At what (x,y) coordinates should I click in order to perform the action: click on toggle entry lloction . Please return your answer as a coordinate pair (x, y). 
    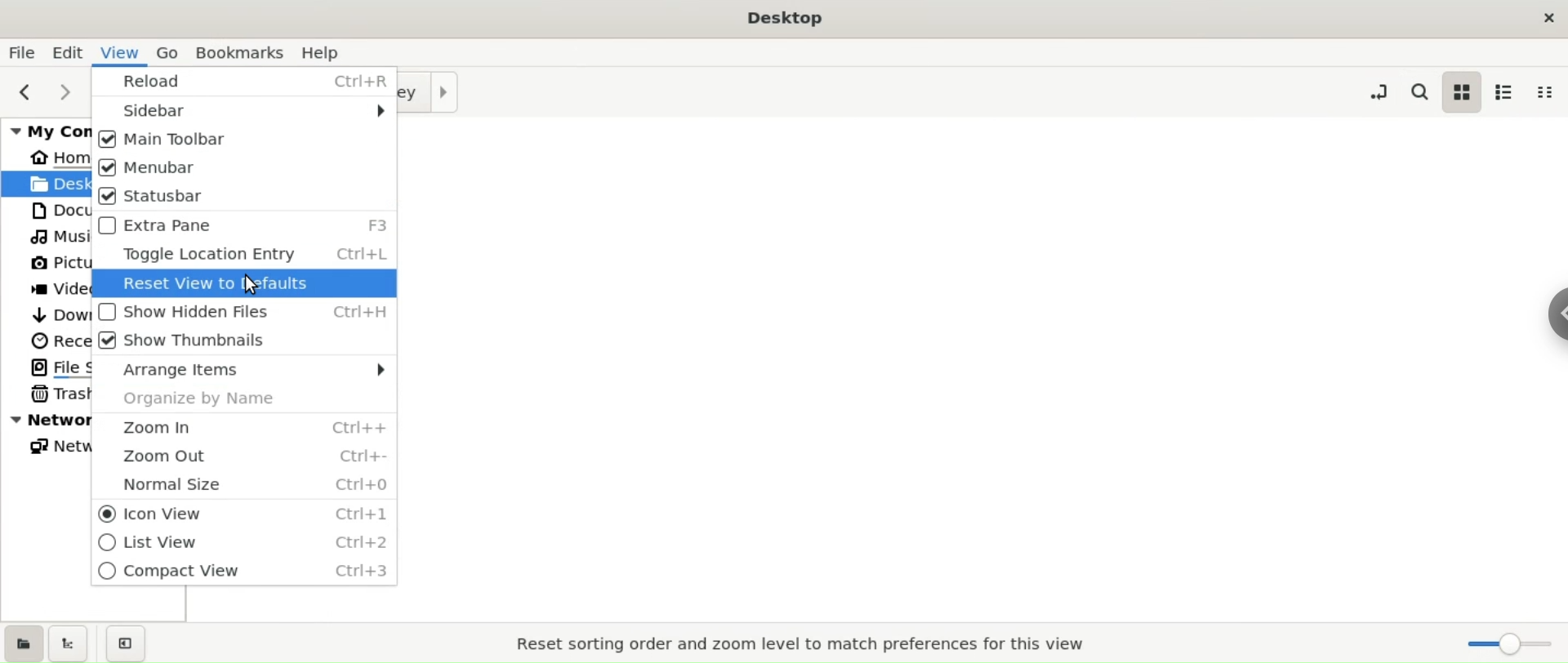
    Looking at the image, I should click on (243, 256).